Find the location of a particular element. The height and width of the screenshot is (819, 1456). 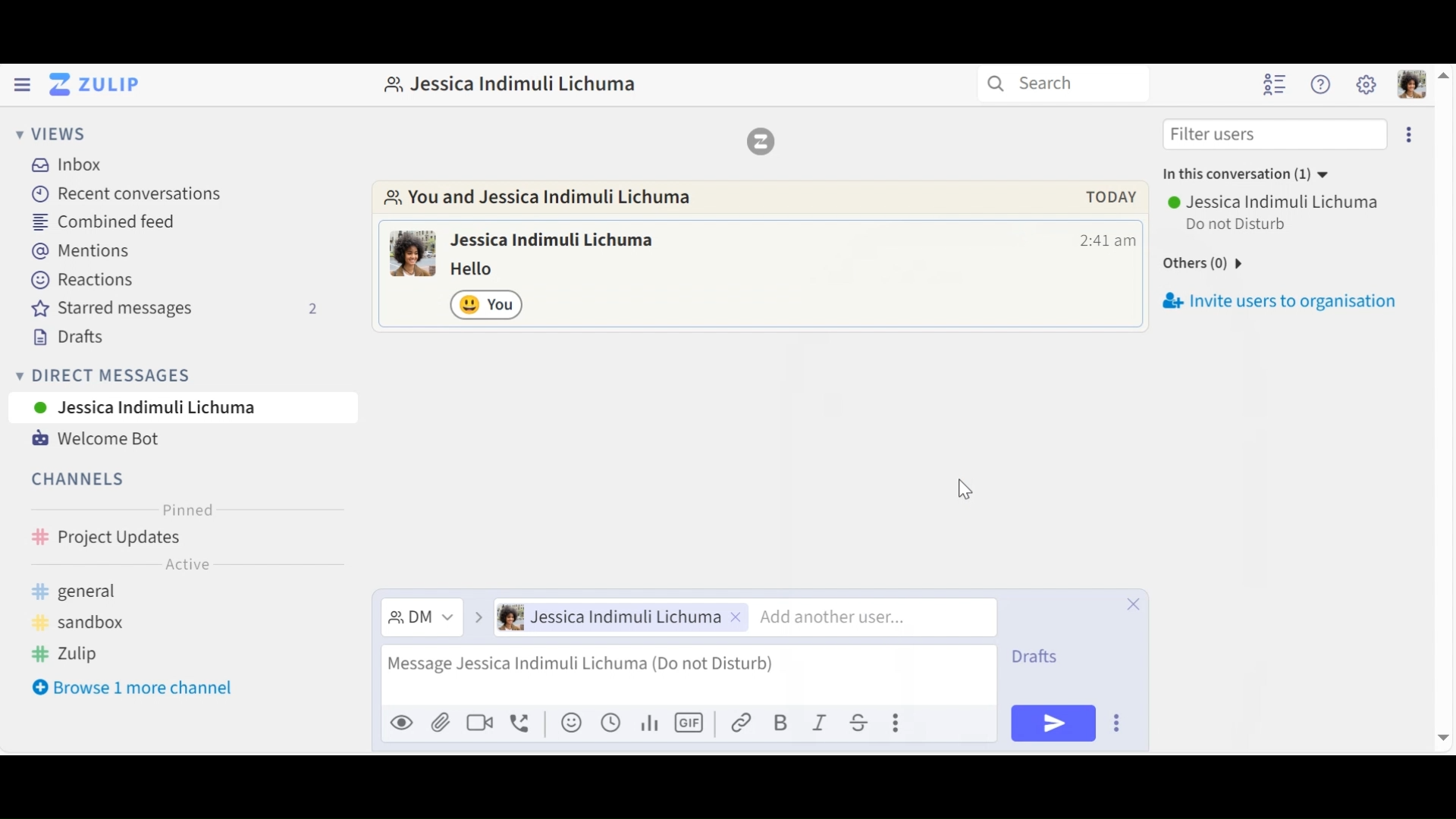

Zulip is located at coordinates (759, 140).